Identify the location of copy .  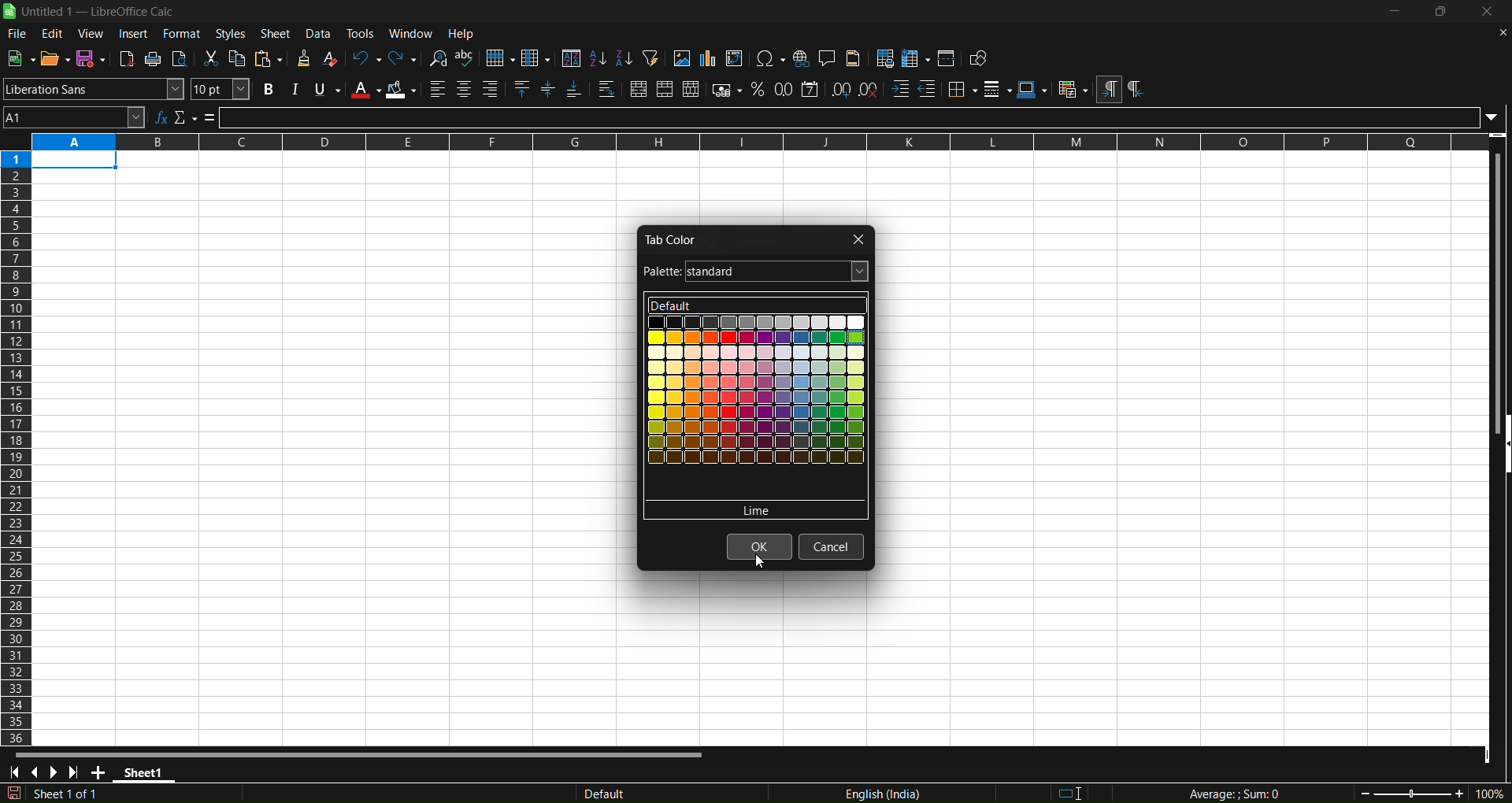
(239, 58).